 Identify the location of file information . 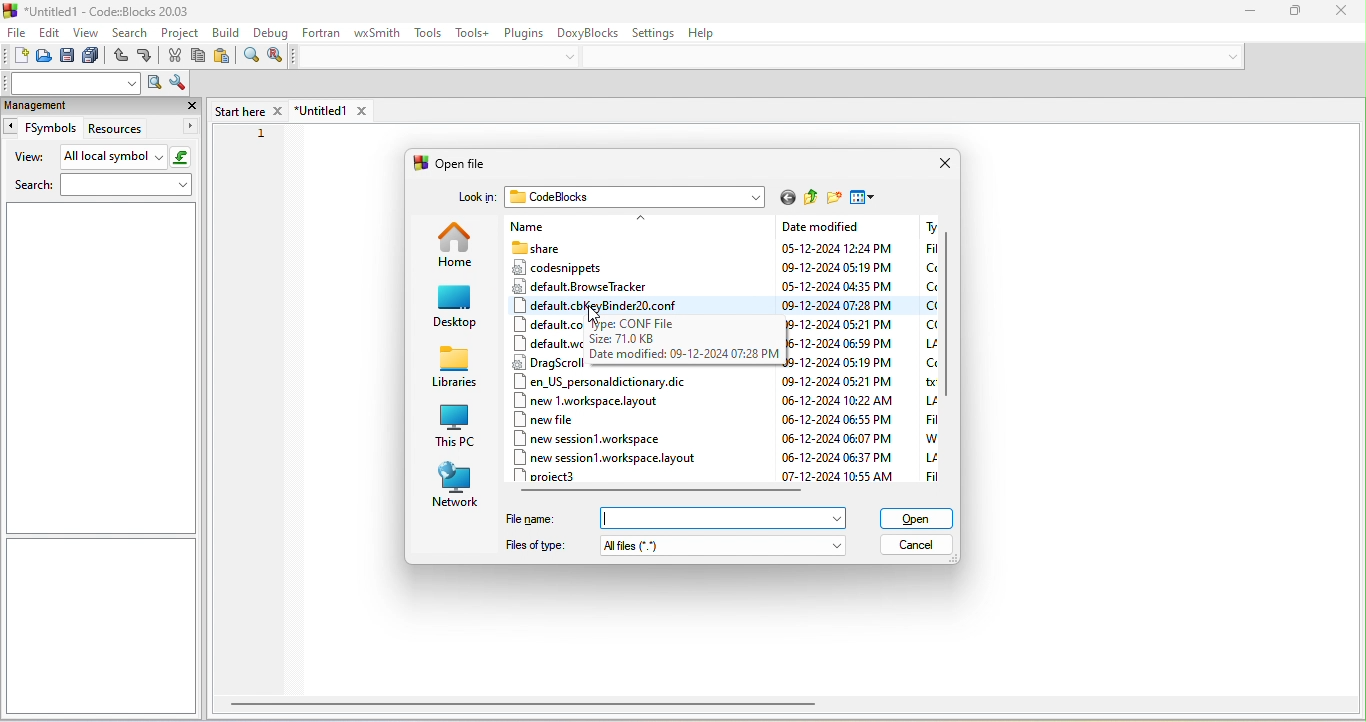
(685, 347).